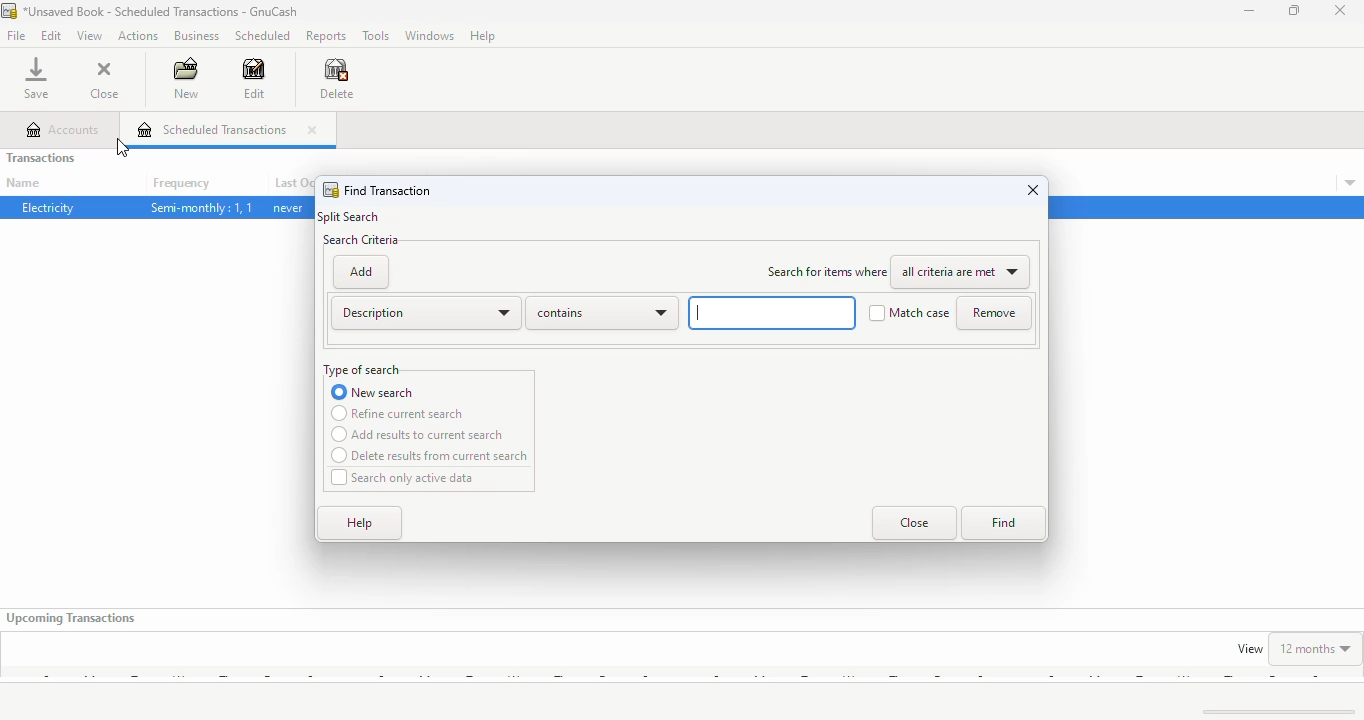 The width and height of the screenshot is (1364, 720). I want to click on search only active data, so click(404, 478).